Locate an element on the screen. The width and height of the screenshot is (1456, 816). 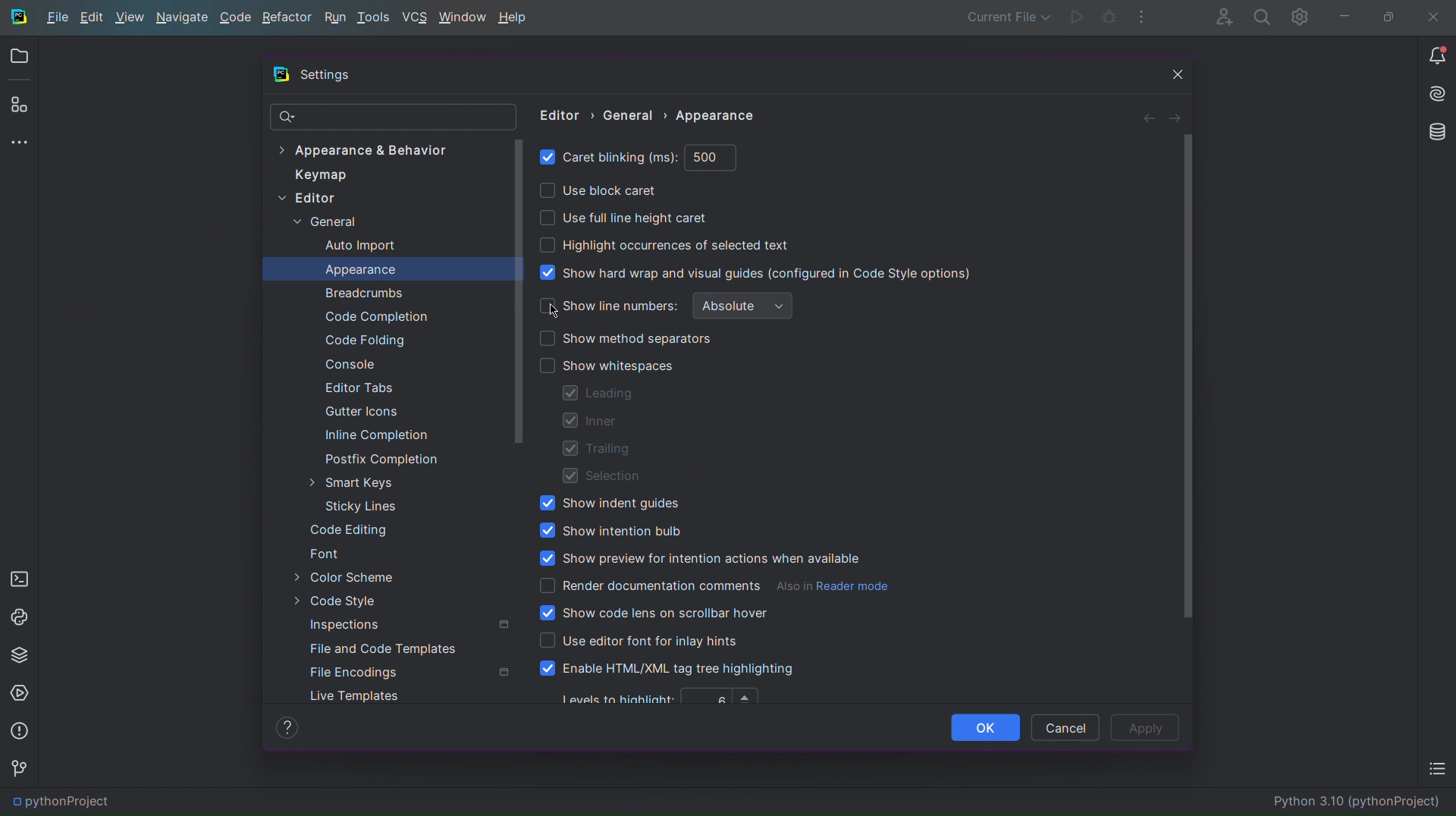
Install AI Assistant is located at coordinates (1435, 96).